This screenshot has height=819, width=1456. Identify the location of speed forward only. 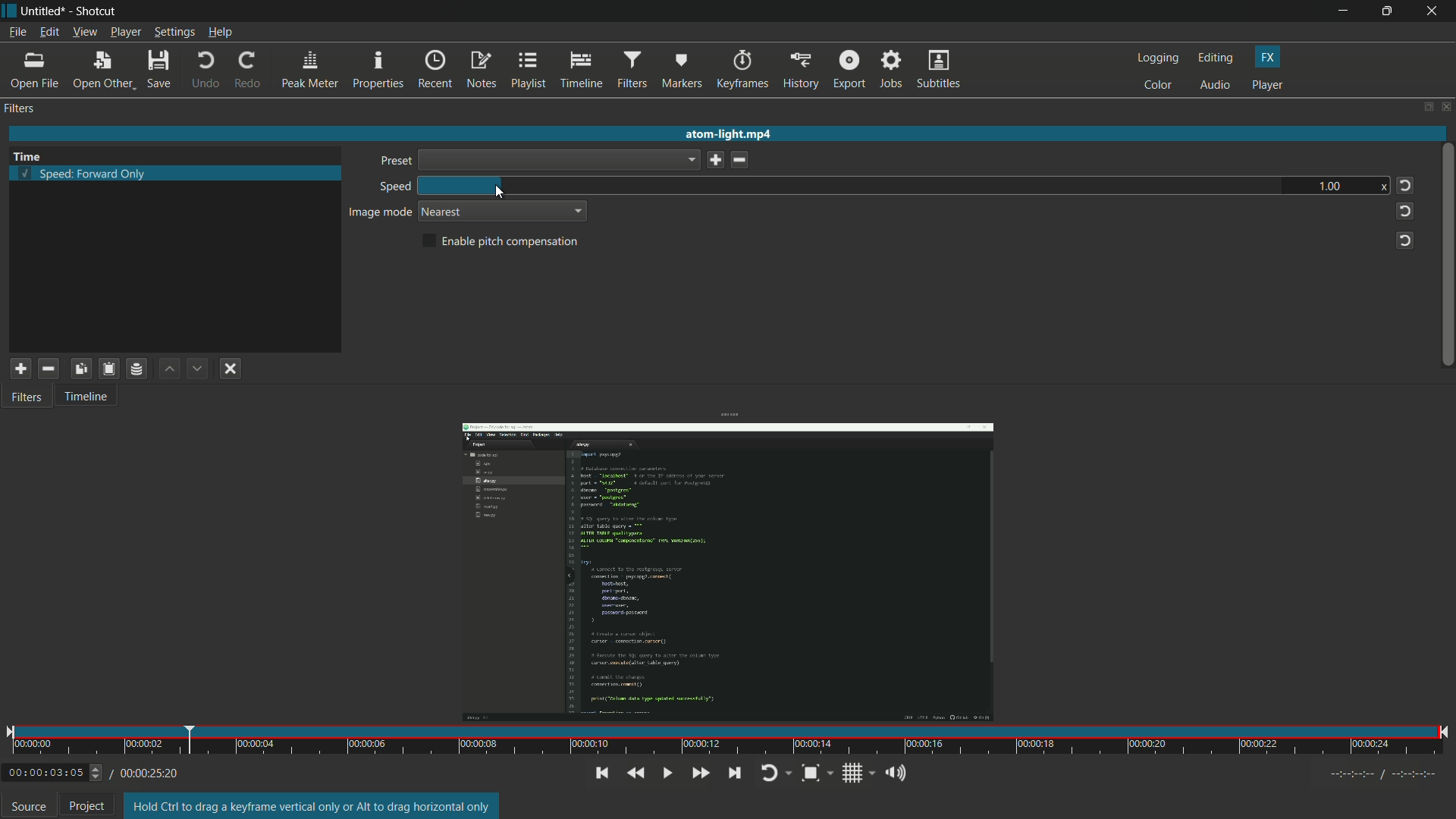
(83, 177).